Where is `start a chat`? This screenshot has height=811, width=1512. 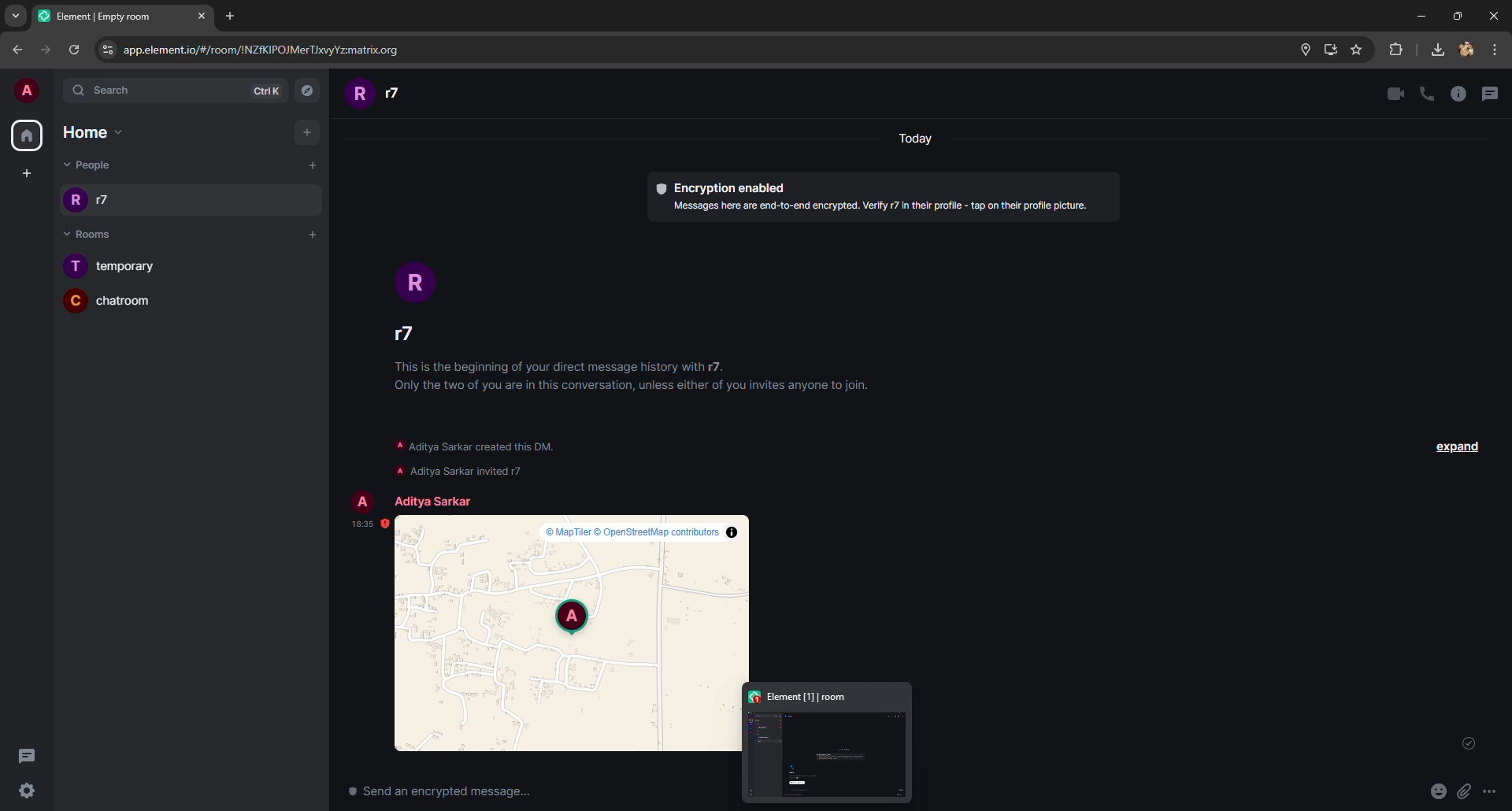
start a chat is located at coordinates (313, 166).